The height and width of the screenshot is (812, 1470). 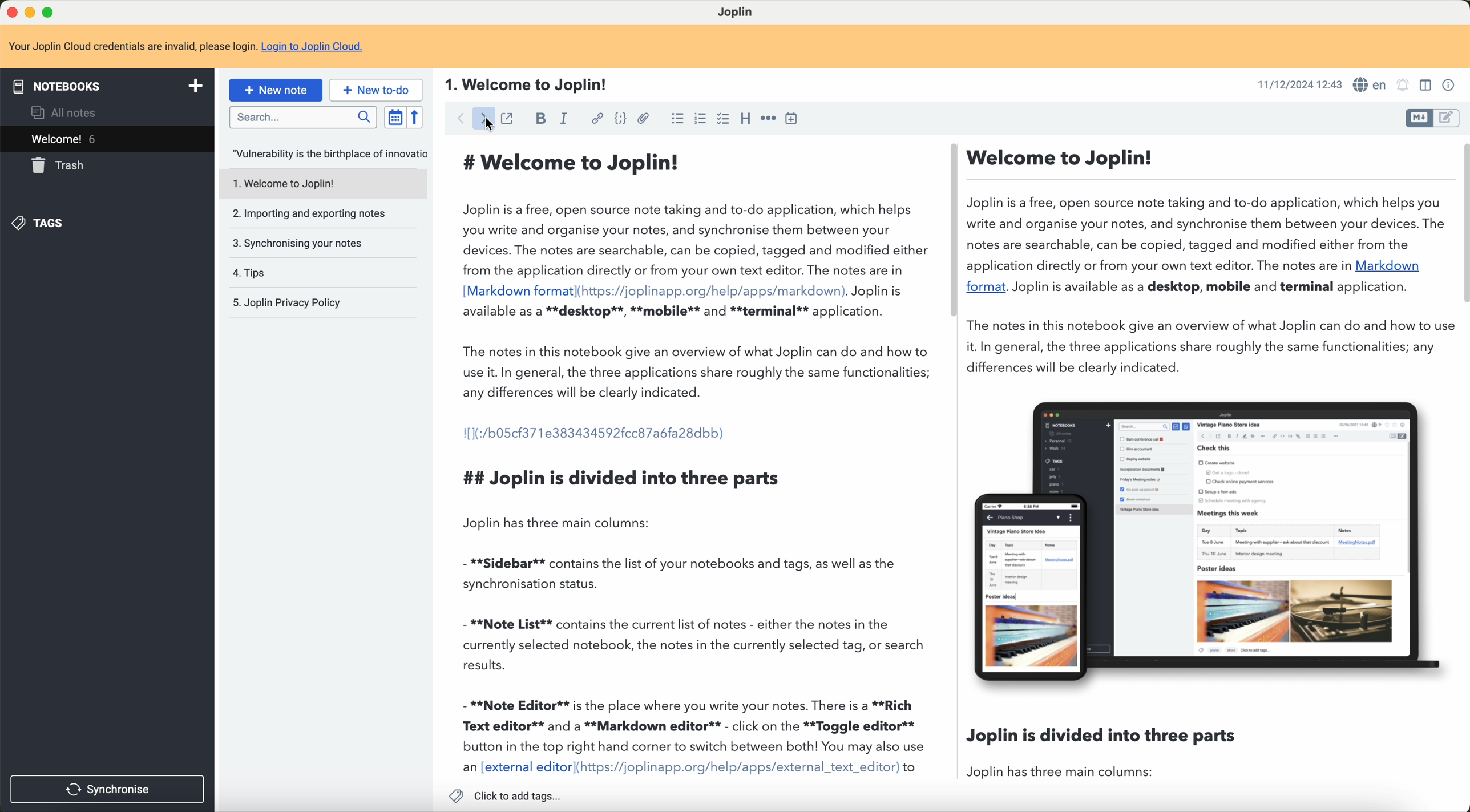 What do you see at coordinates (463, 769) in the screenshot?
I see `an` at bounding box center [463, 769].